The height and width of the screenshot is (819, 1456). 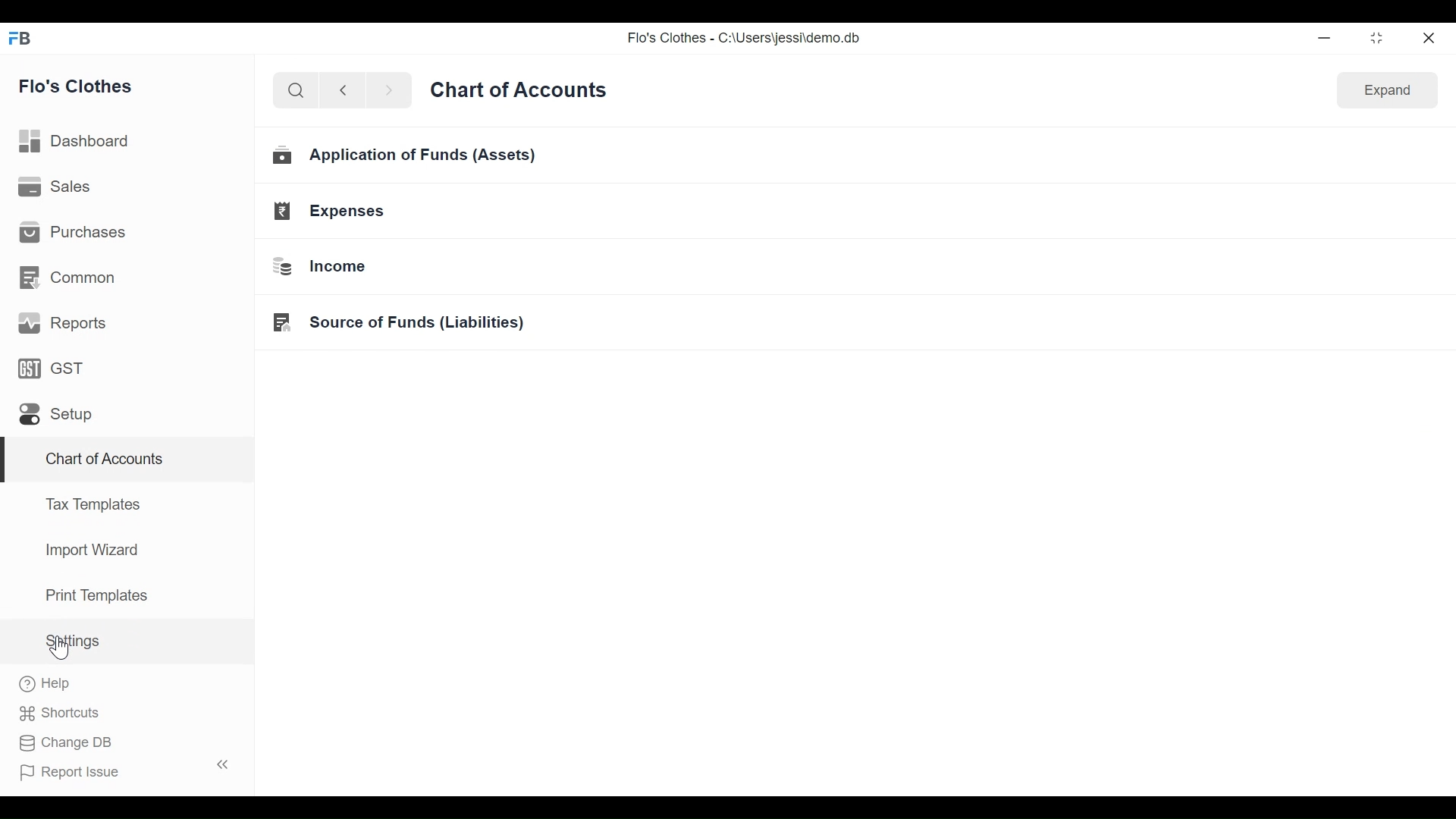 I want to click on Reports, so click(x=61, y=323).